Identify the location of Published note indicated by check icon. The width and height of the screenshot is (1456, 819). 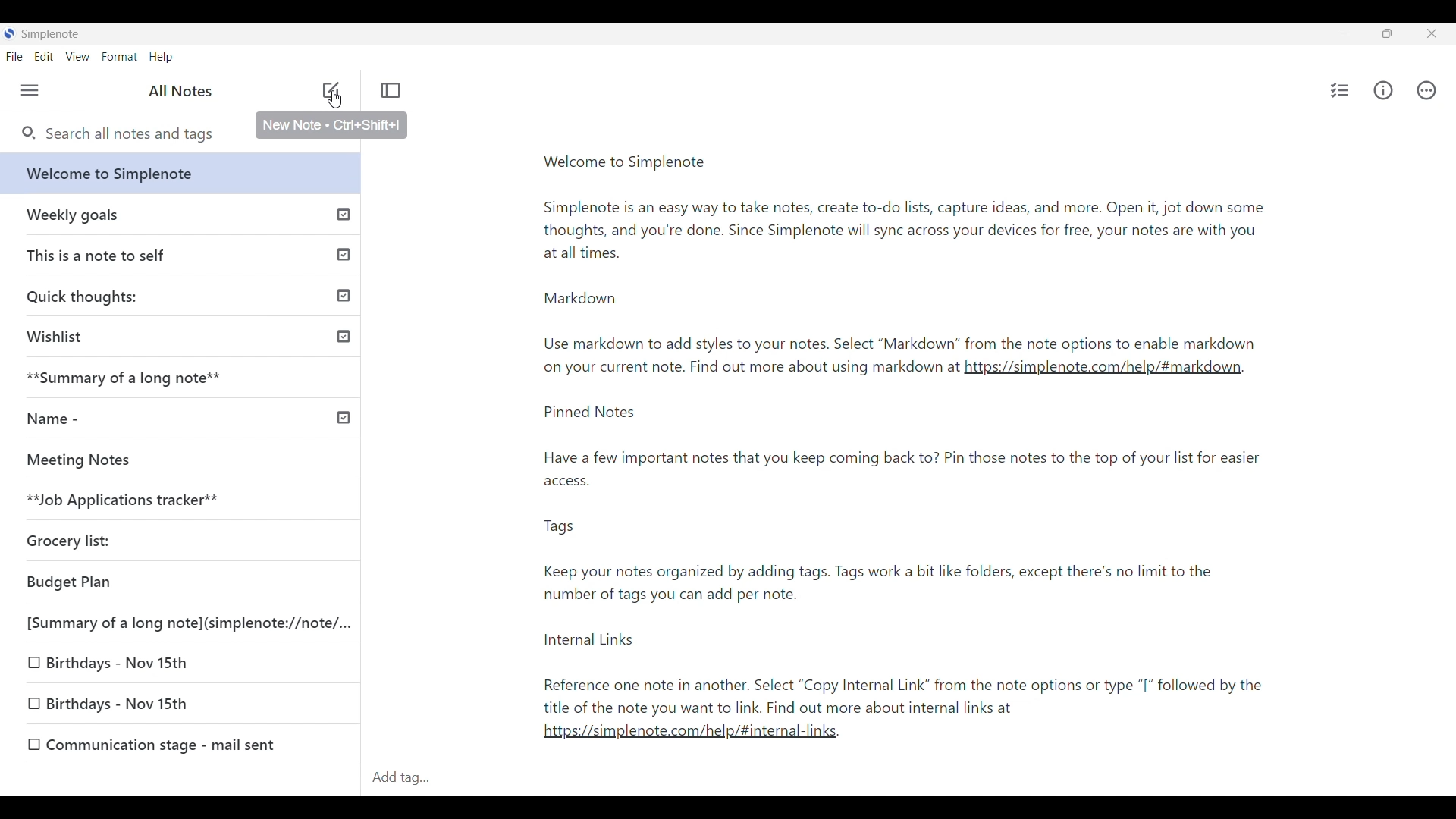
(188, 254).